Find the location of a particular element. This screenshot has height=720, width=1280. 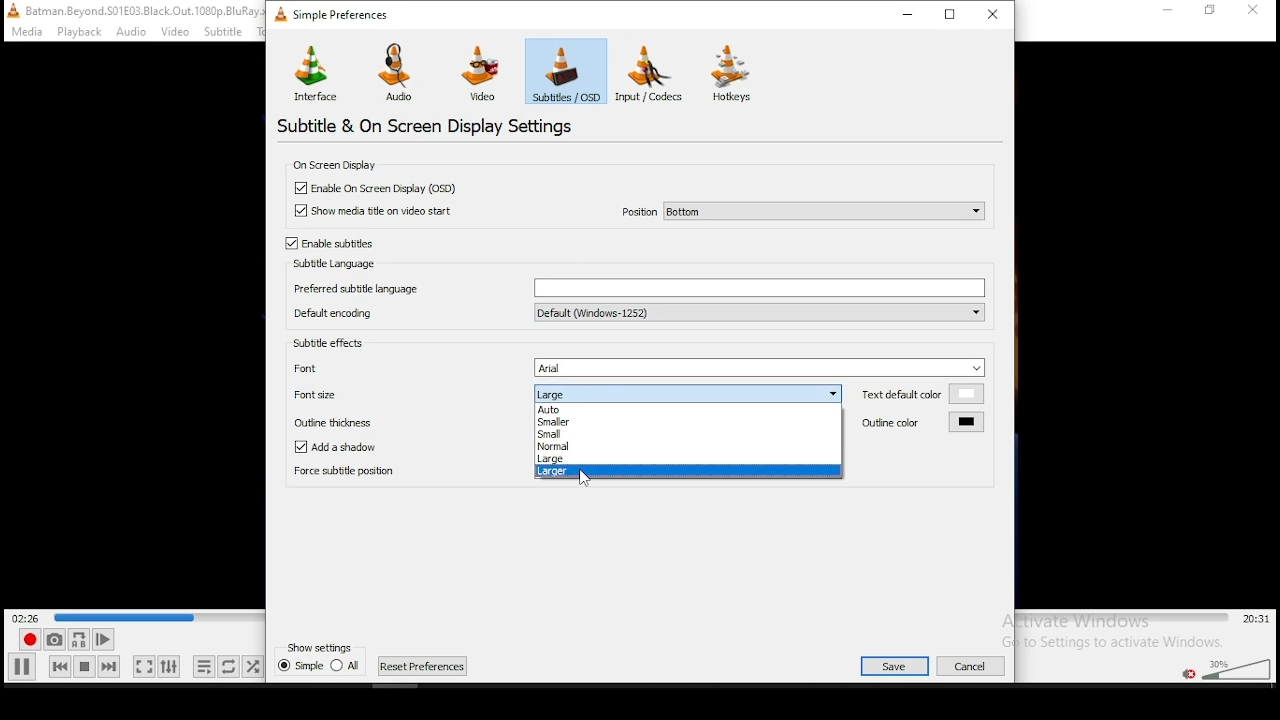

toggle between loop all, loop one, and no loop is located at coordinates (228, 666).